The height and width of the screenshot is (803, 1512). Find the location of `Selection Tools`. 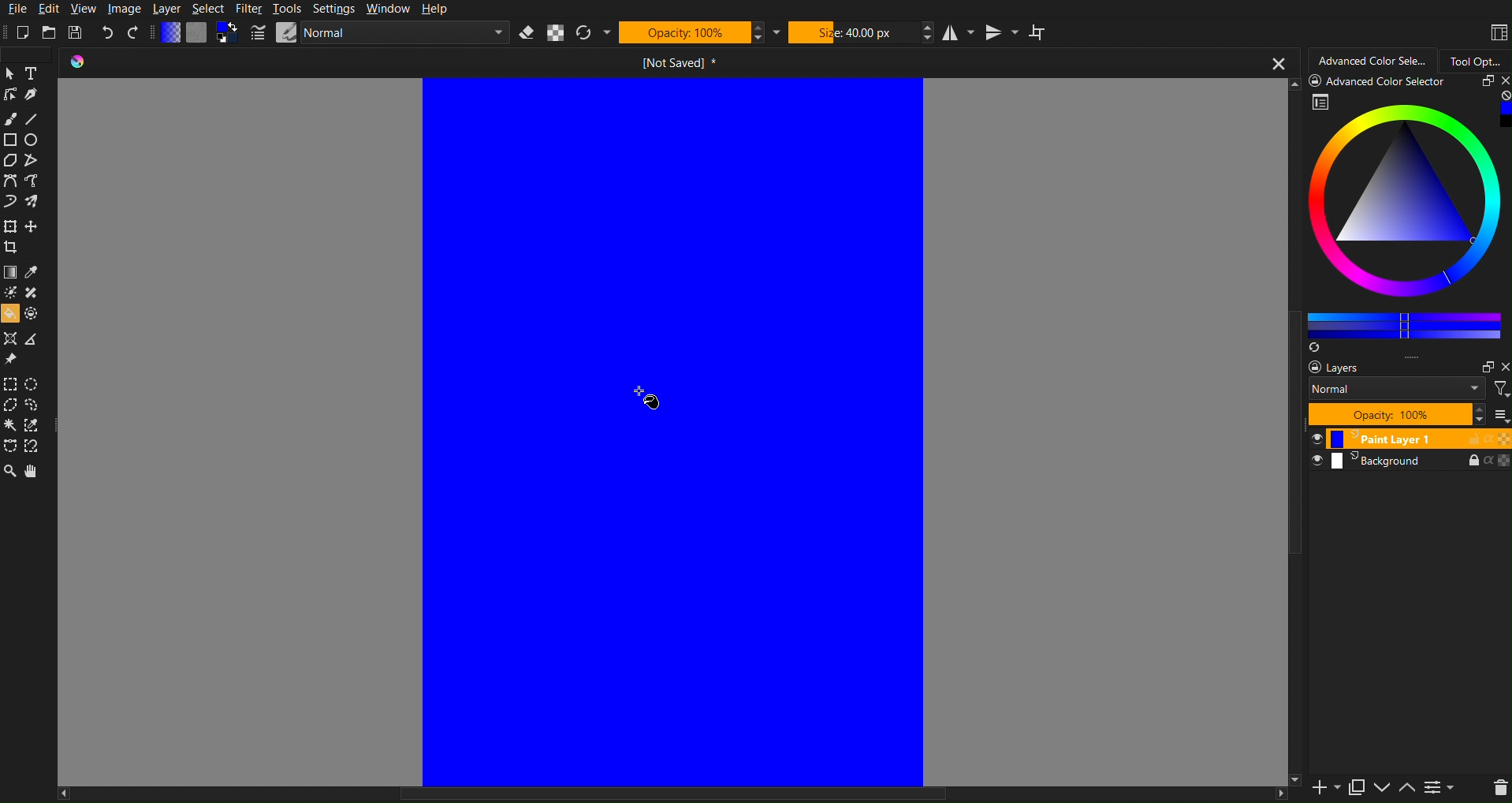

Selection Tools is located at coordinates (28, 237).